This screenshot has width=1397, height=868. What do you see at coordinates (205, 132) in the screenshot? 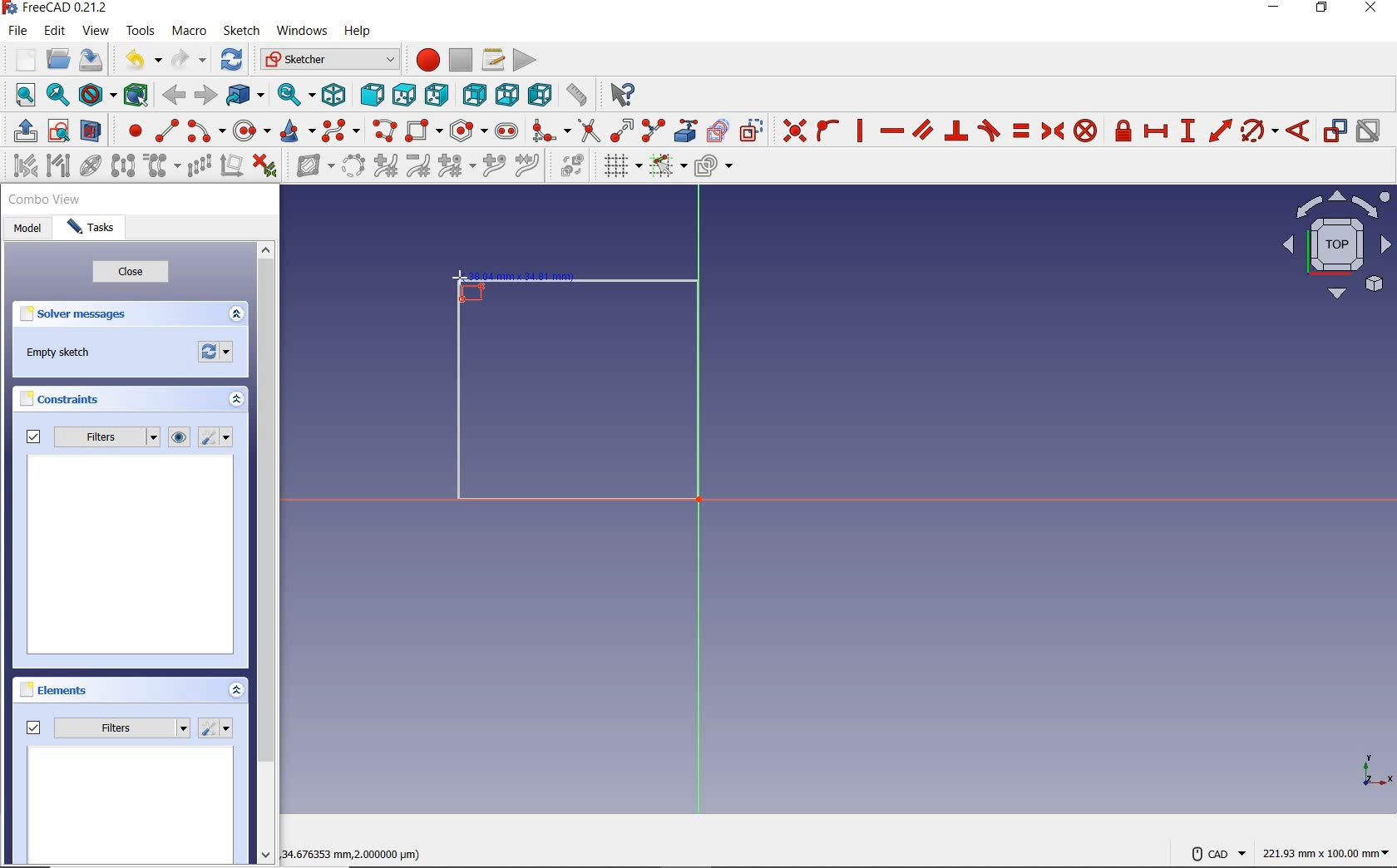
I see `create arc` at bounding box center [205, 132].